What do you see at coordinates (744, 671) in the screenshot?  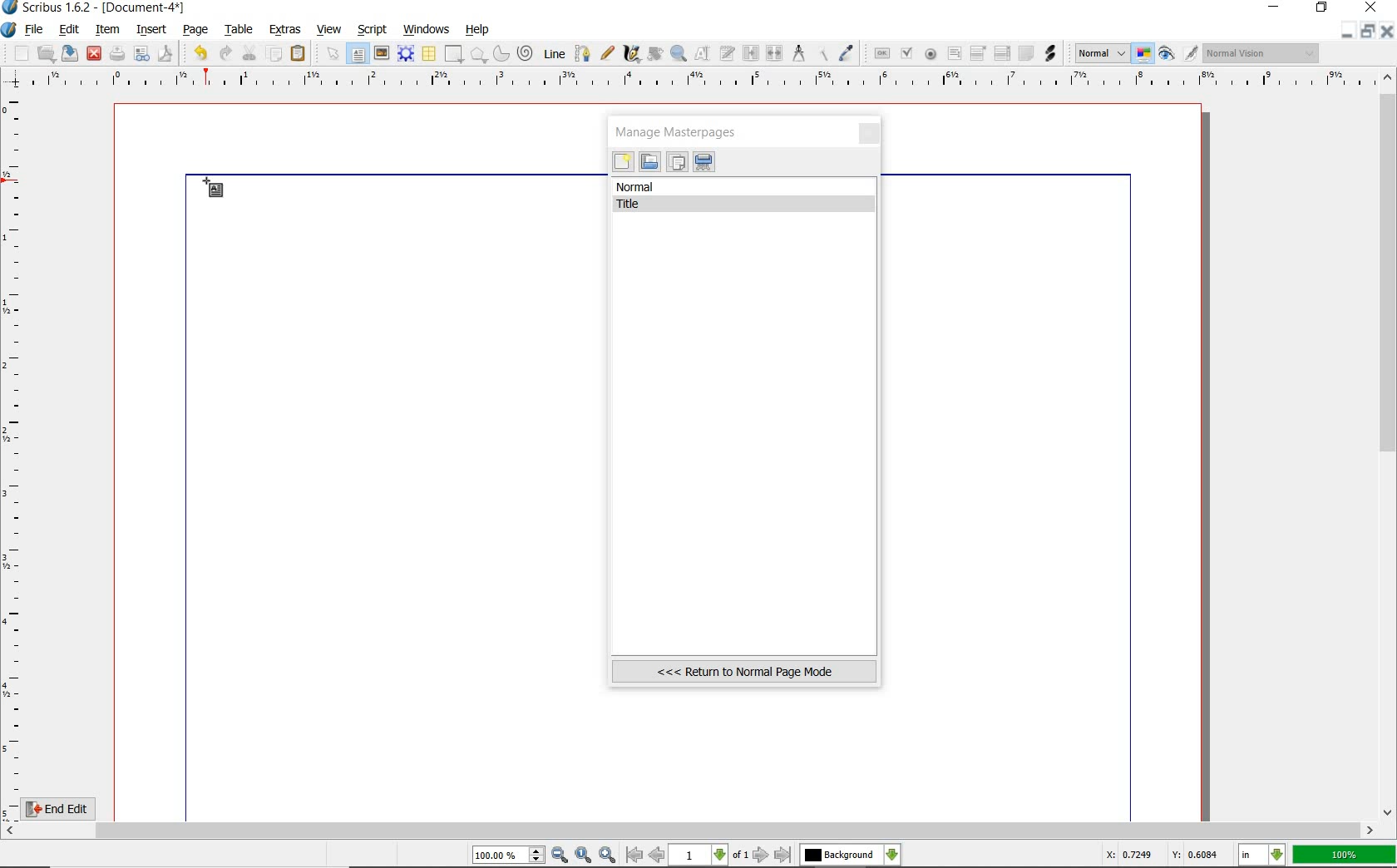 I see `Return to normal page mode` at bounding box center [744, 671].